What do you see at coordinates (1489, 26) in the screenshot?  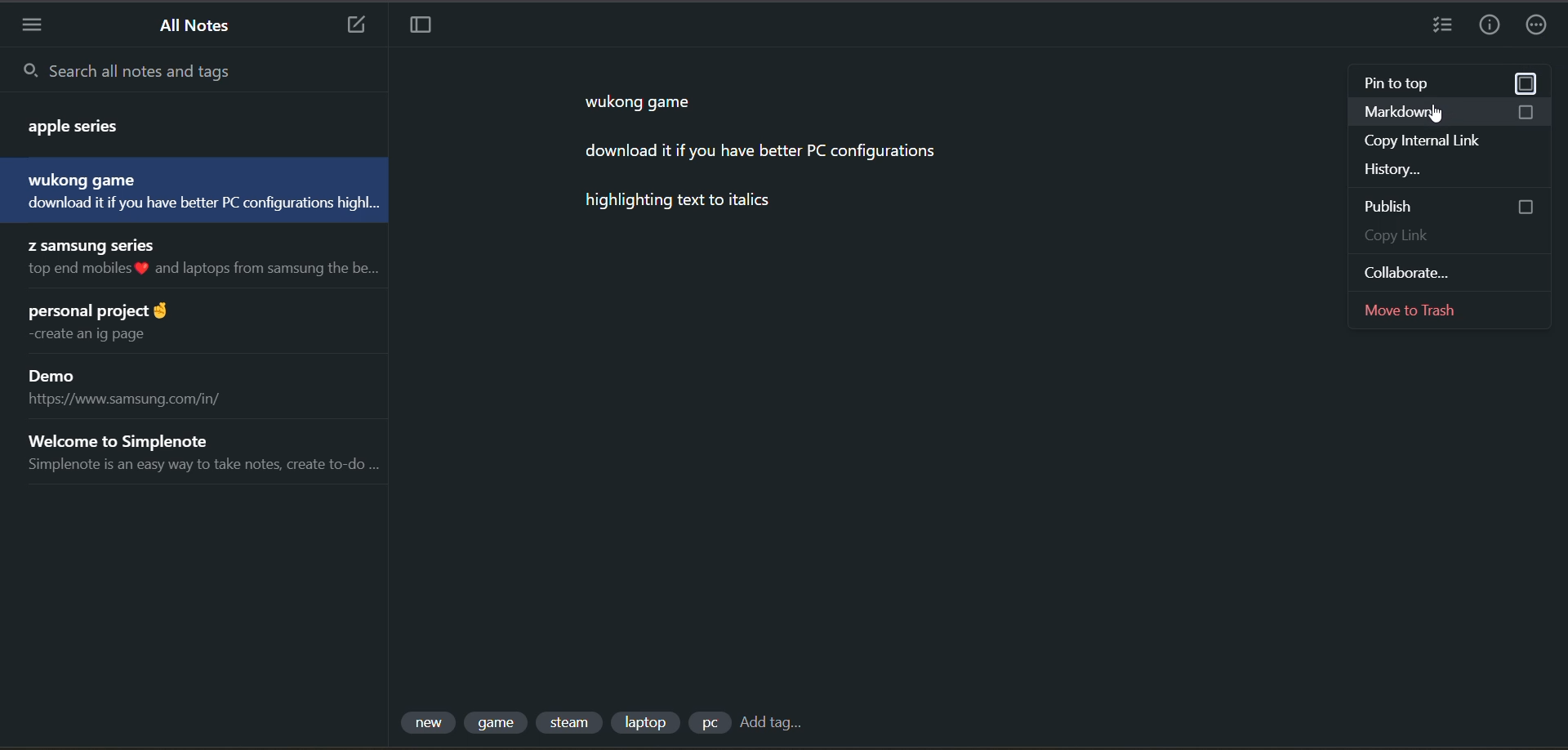 I see `info` at bounding box center [1489, 26].